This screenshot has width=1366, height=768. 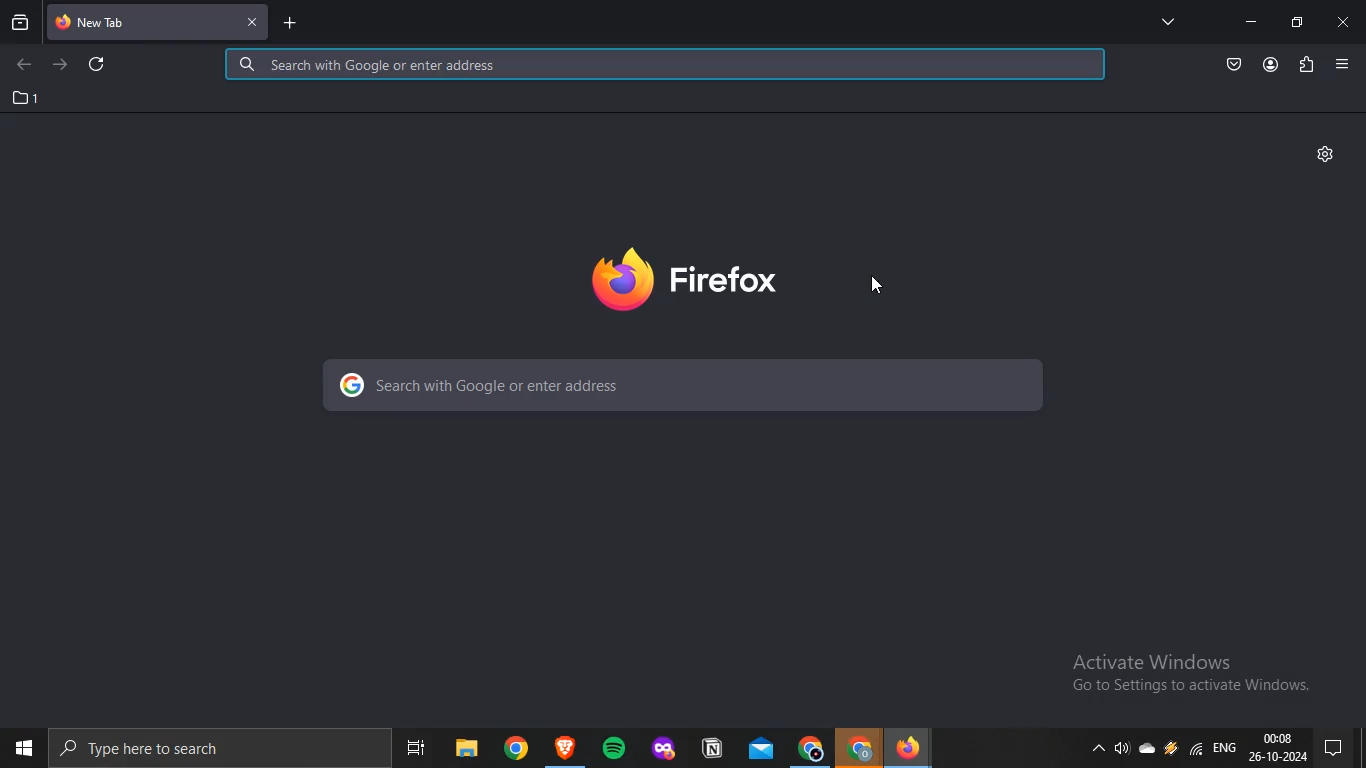 I want to click on settings, so click(x=1326, y=153).